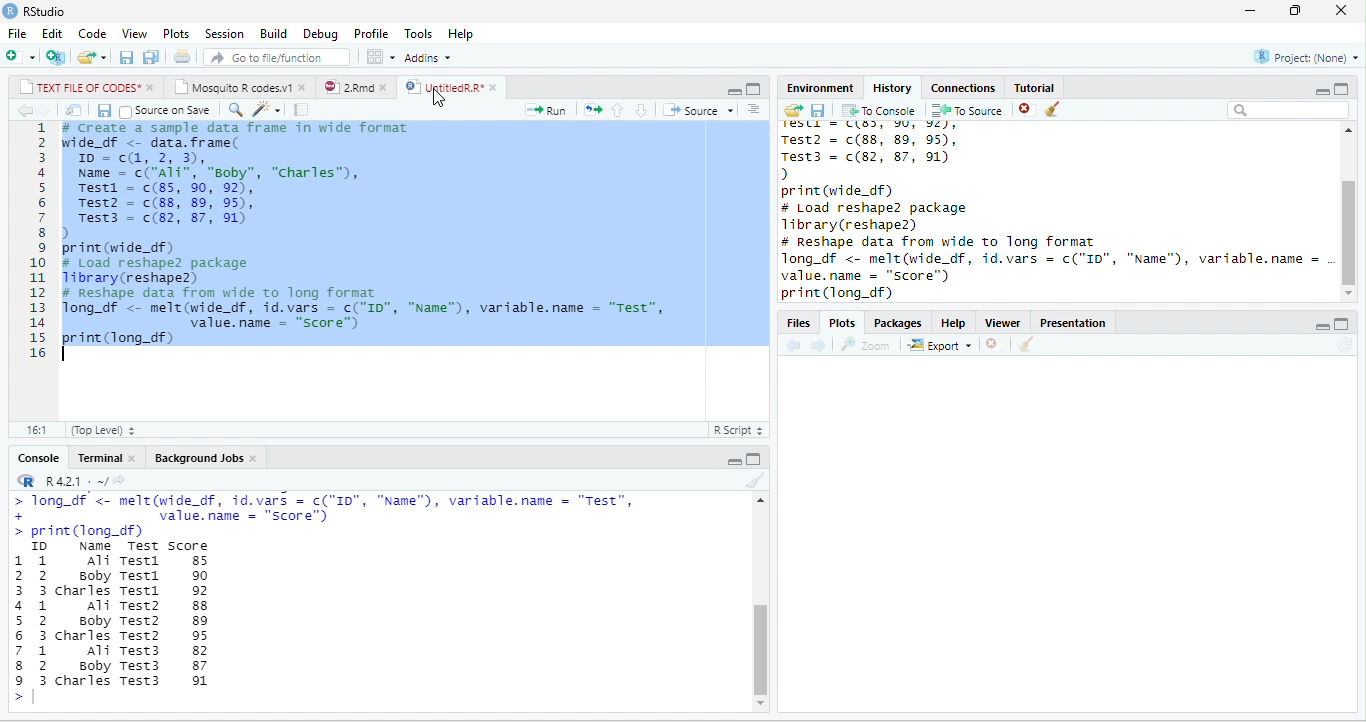 The width and height of the screenshot is (1366, 722). What do you see at coordinates (197, 457) in the screenshot?
I see `Background Jobs` at bounding box center [197, 457].